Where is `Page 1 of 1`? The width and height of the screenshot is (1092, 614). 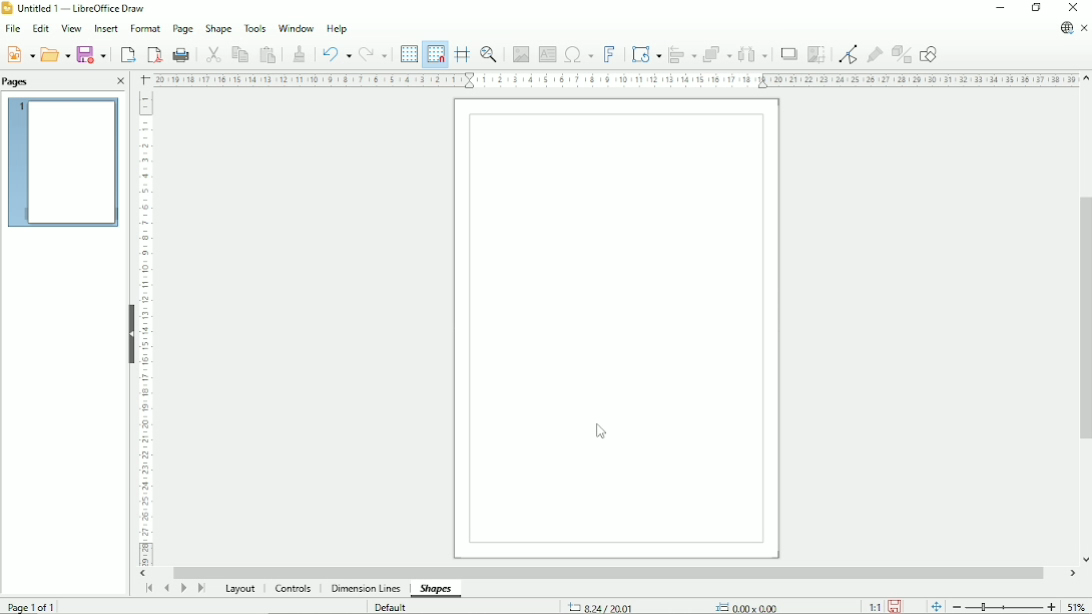
Page 1 of 1 is located at coordinates (33, 605).